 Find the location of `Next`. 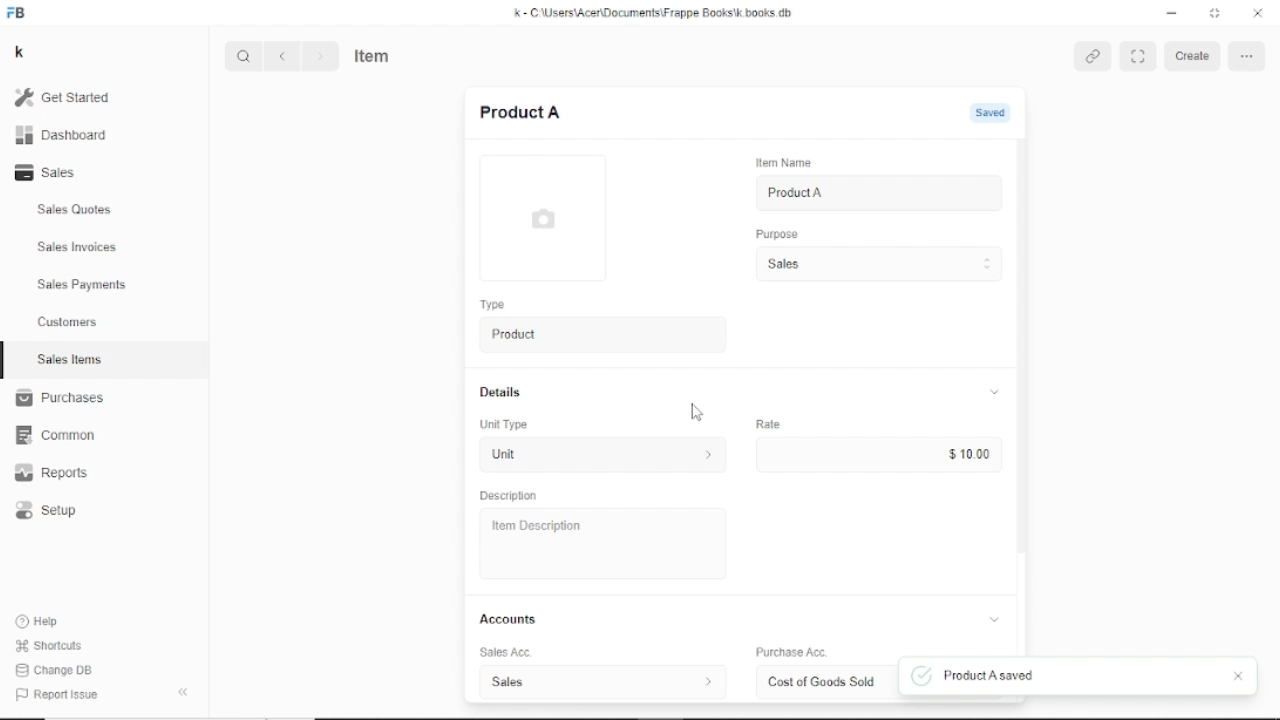

Next is located at coordinates (319, 56).